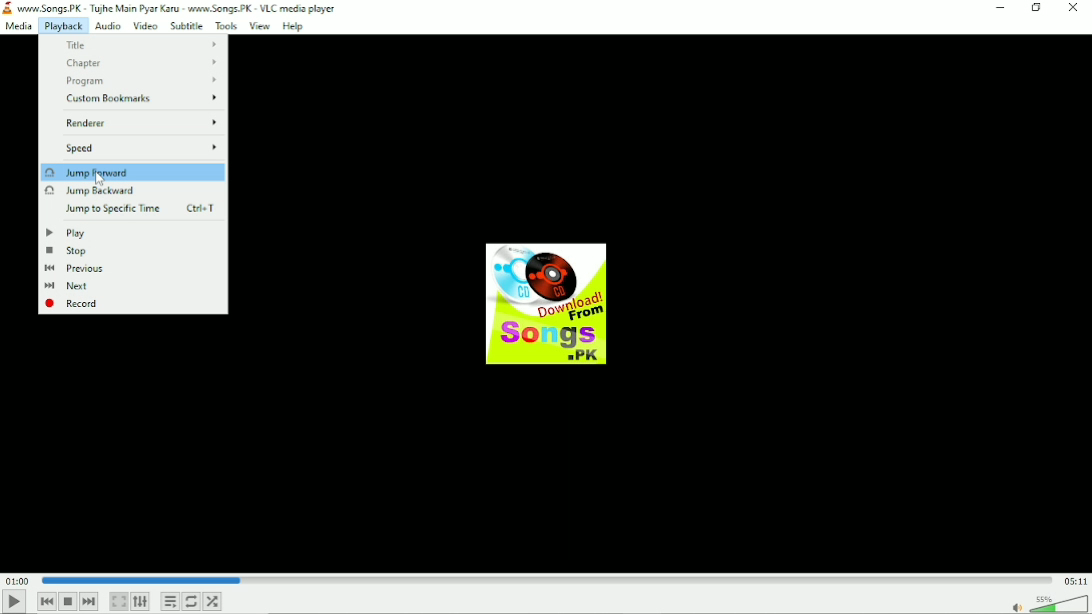 The image size is (1092, 614). What do you see at coordinates (8, 9) in the screenshot?
I see `logo` at bounding box center [8, 9].